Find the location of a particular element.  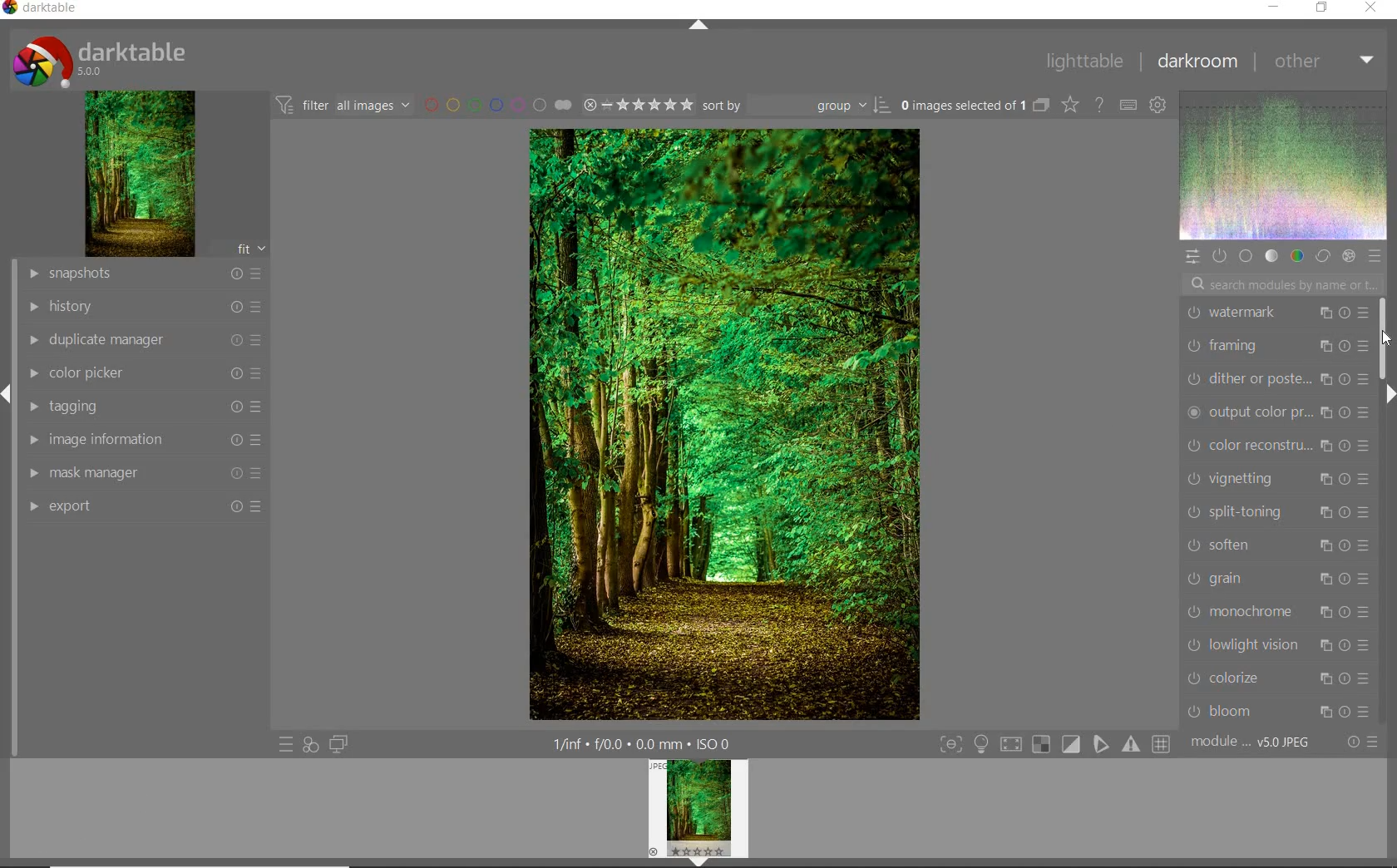

FILTER BY IMAGE COLOR LABEL is located at coordinates (495, 103).